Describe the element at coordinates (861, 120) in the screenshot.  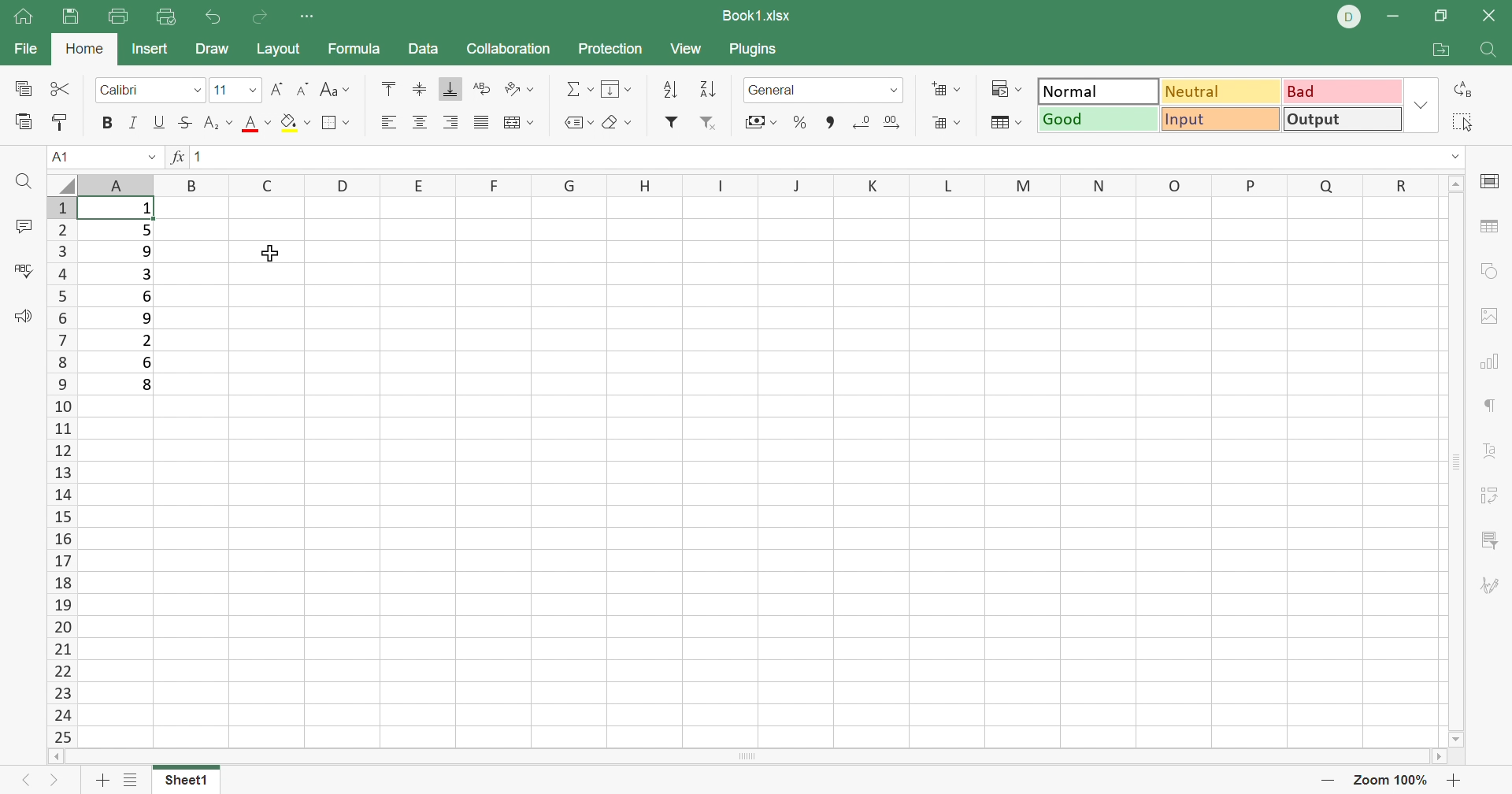
I see `Decrease decimal` at that location.